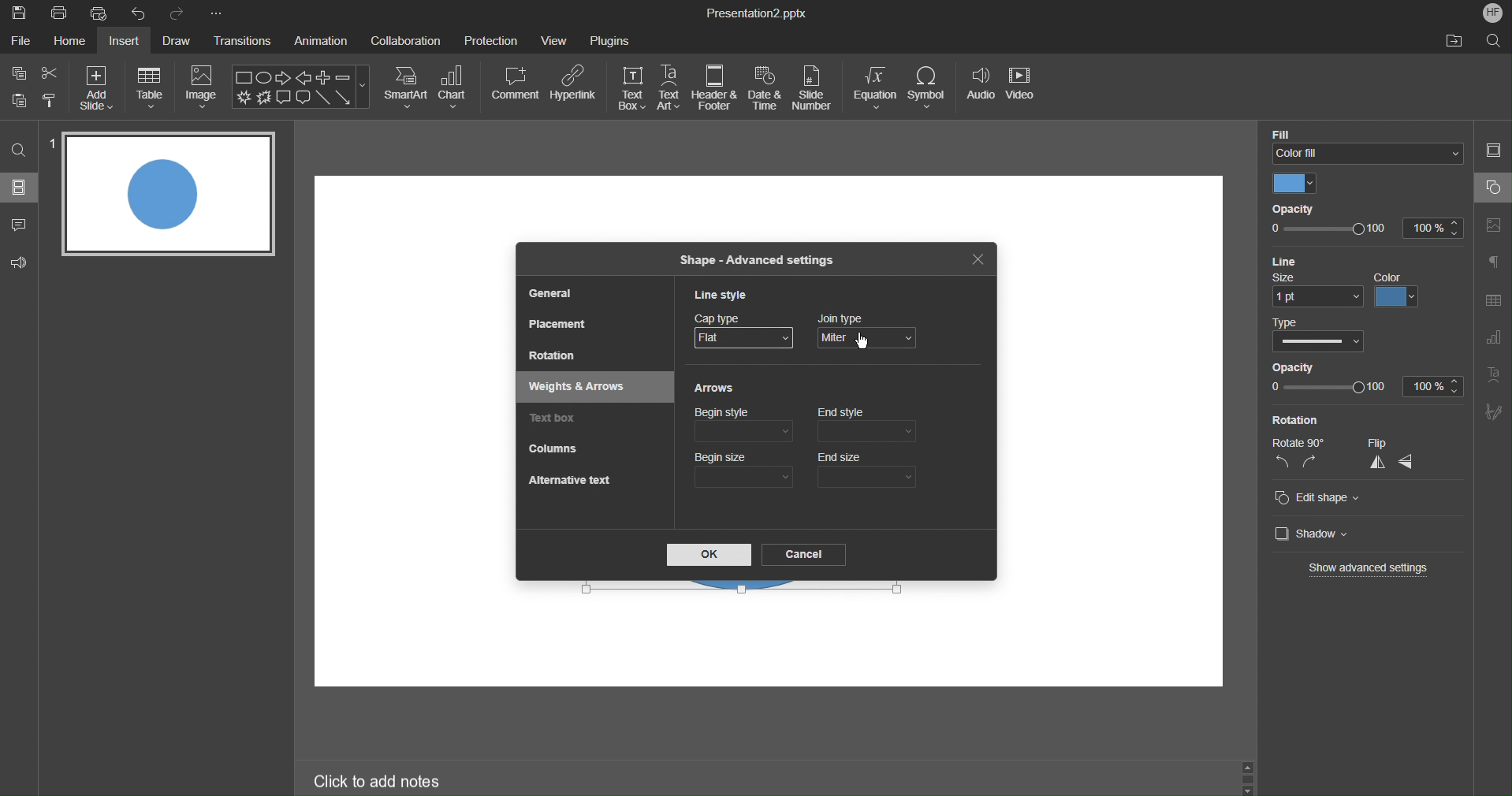  Describe the element at coordinates (1310, 463) in the screenshot. I see `right` at that location.